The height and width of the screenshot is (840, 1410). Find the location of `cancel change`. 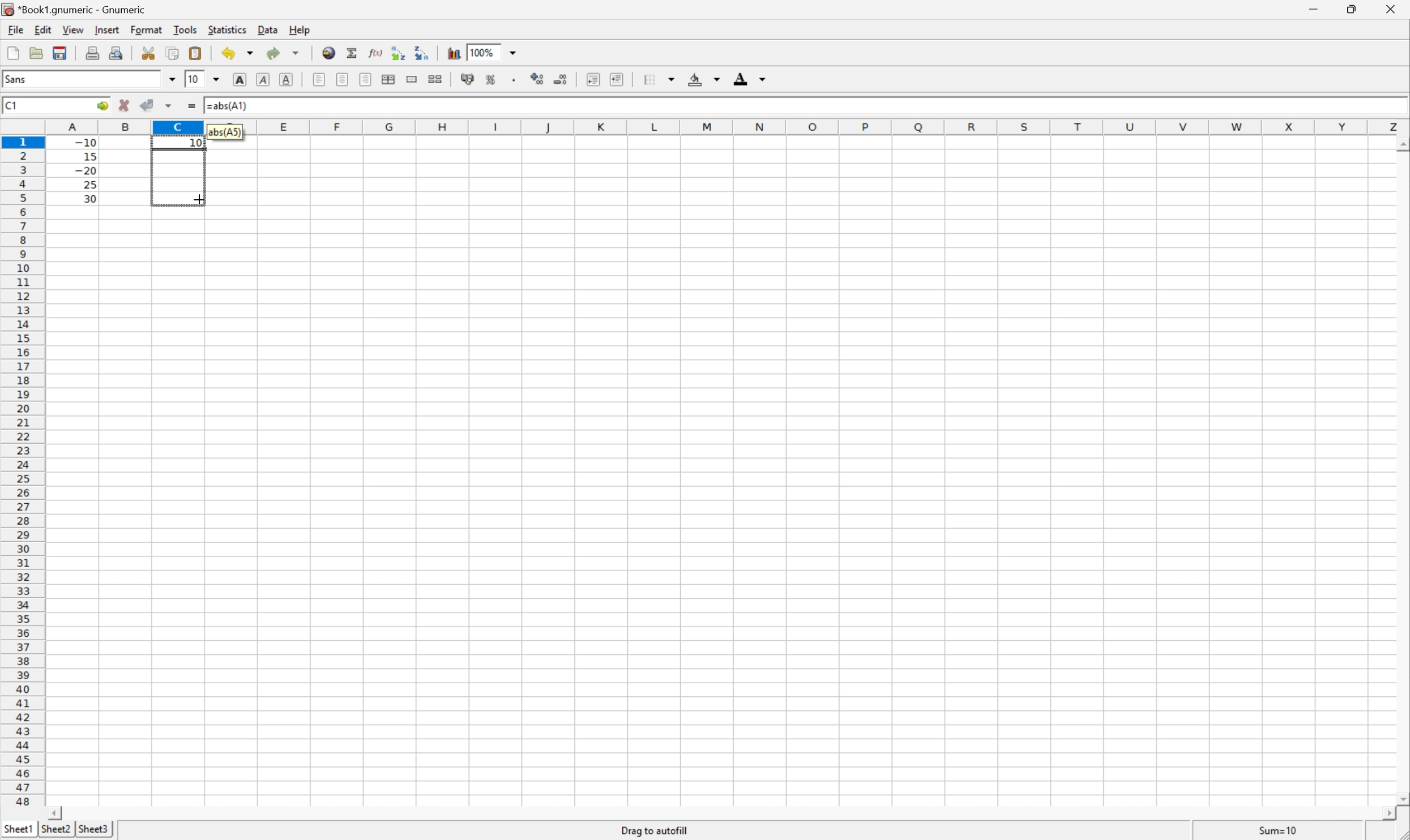

cancel change is located at coordinates (125, 108).